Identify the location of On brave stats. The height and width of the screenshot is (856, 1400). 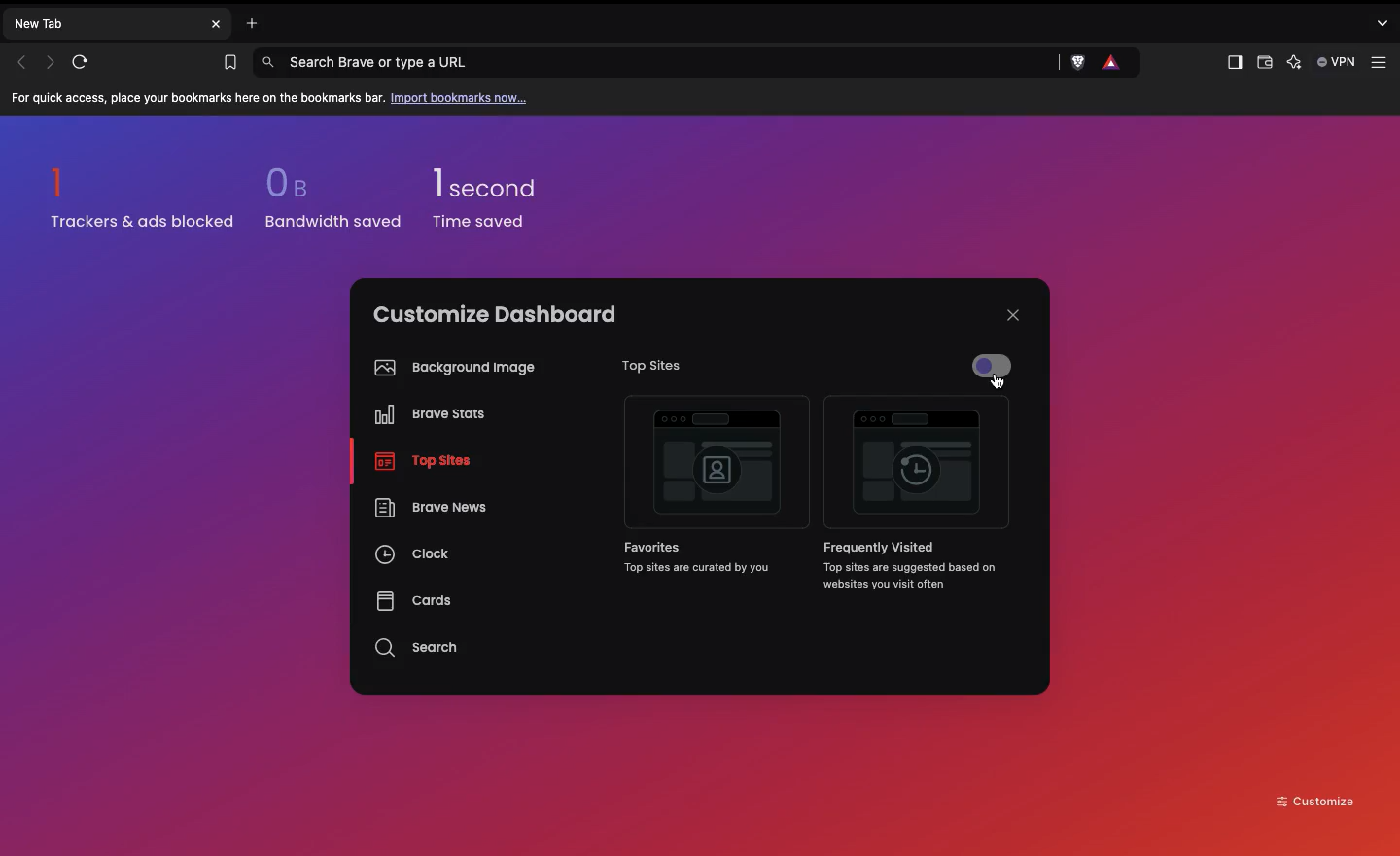
(425, 418).